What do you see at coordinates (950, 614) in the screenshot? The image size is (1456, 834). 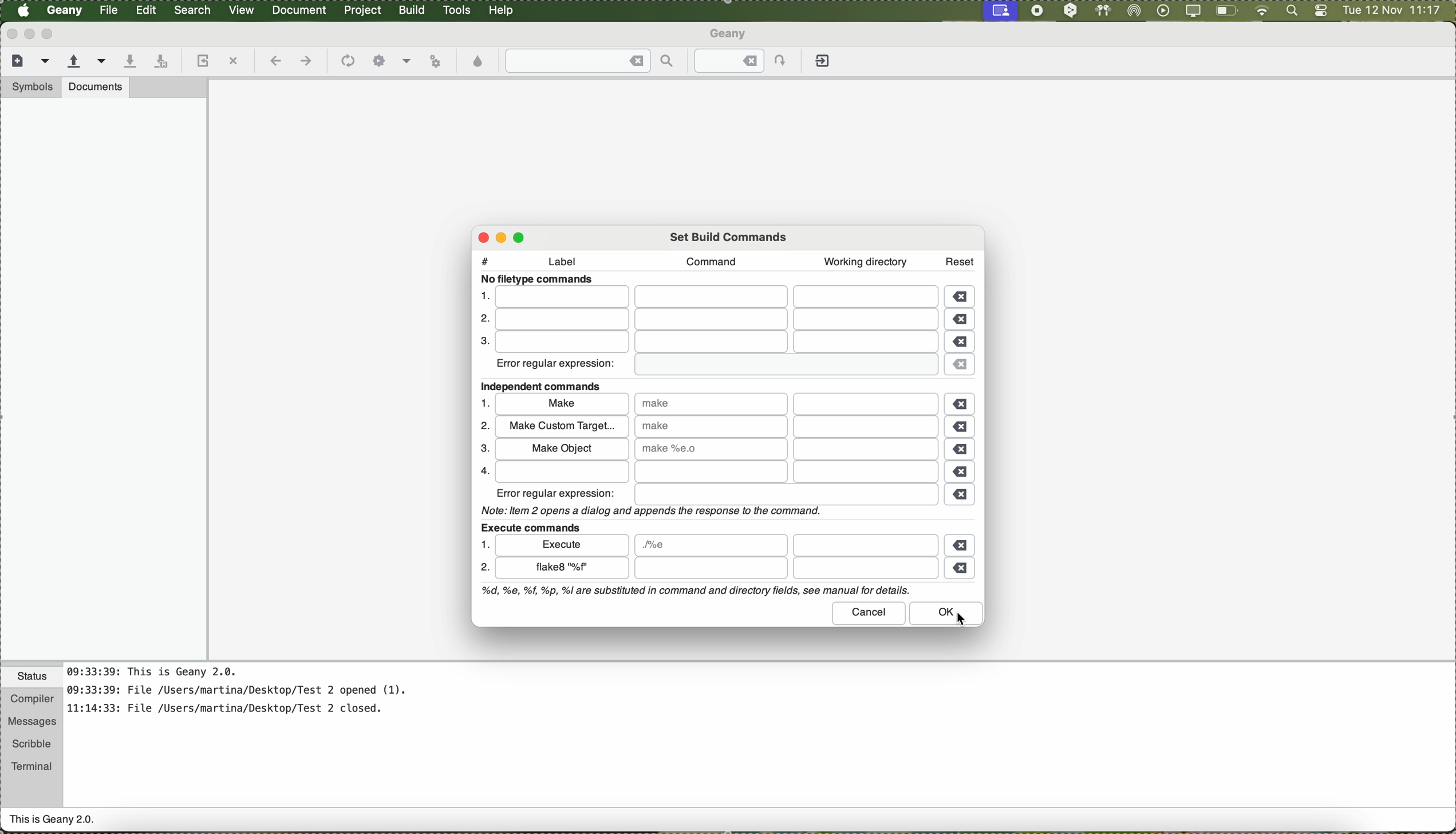 I see `click on OK button` at bounding box center [950, 614].